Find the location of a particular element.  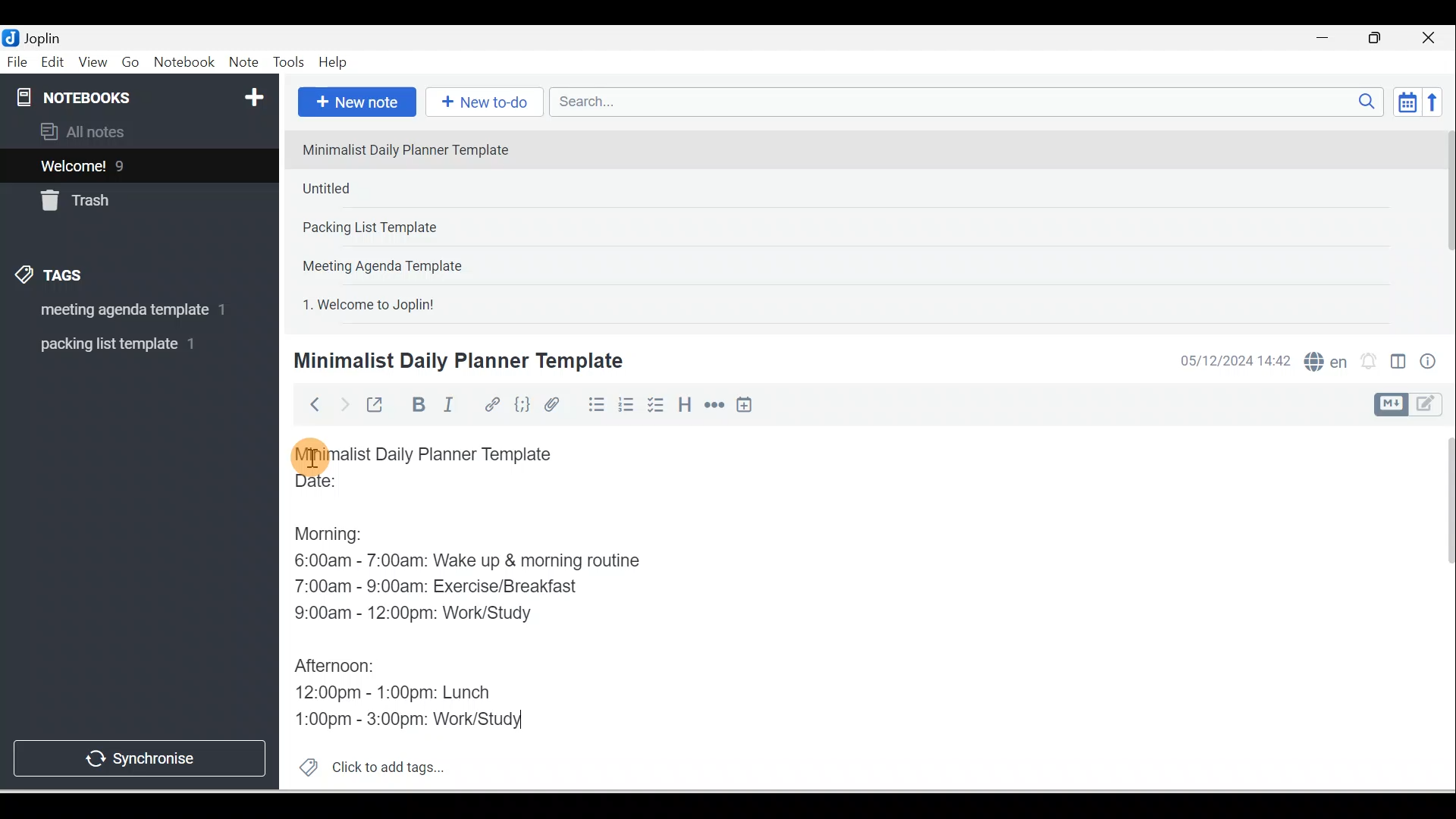

New to-do is located at coordinates (481, 103).